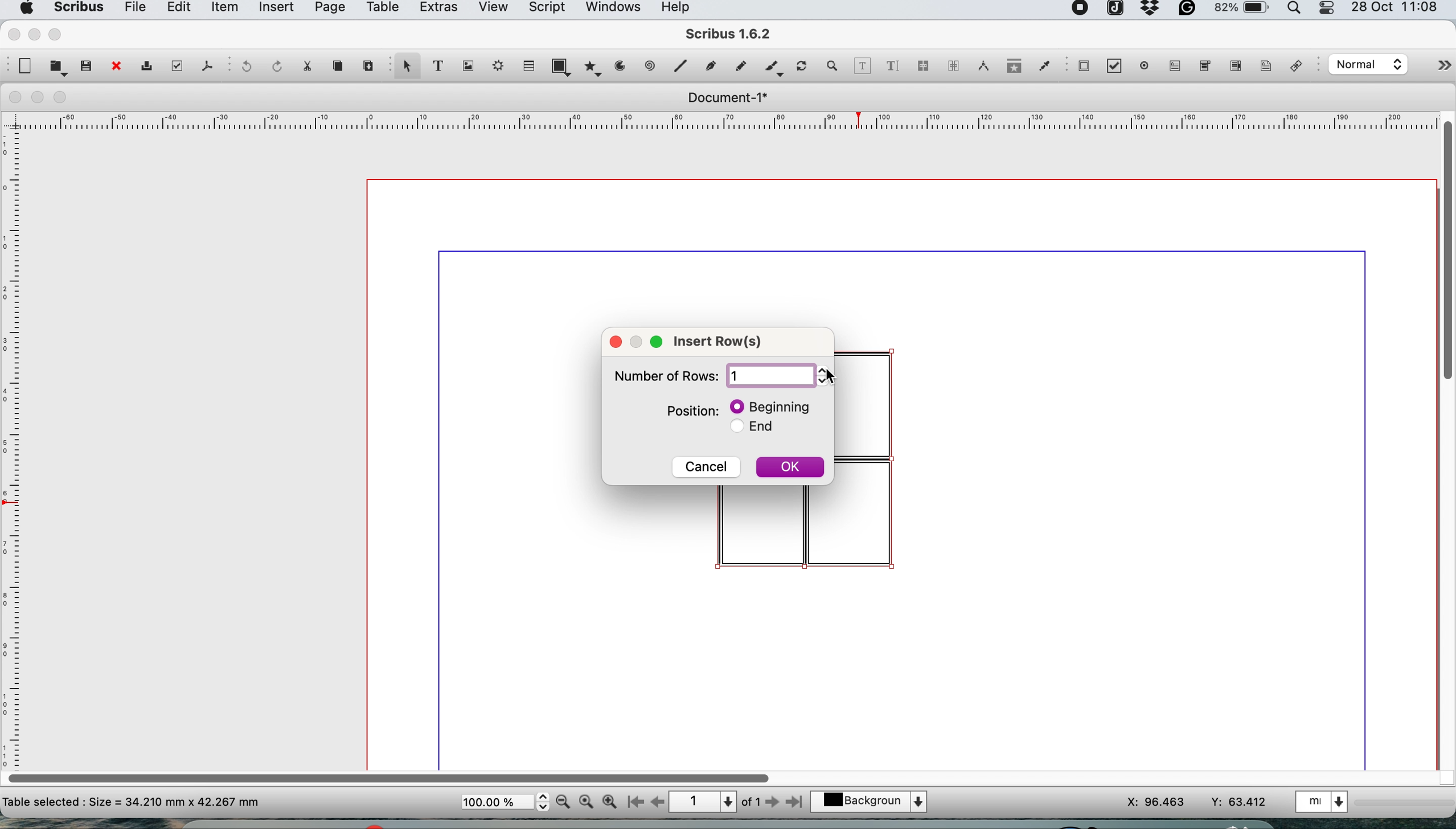 This screenshot has height=829, width=1456. Describe the element at coordinates (1189, 11) in the screenshot. I see `grammarly` at that location.